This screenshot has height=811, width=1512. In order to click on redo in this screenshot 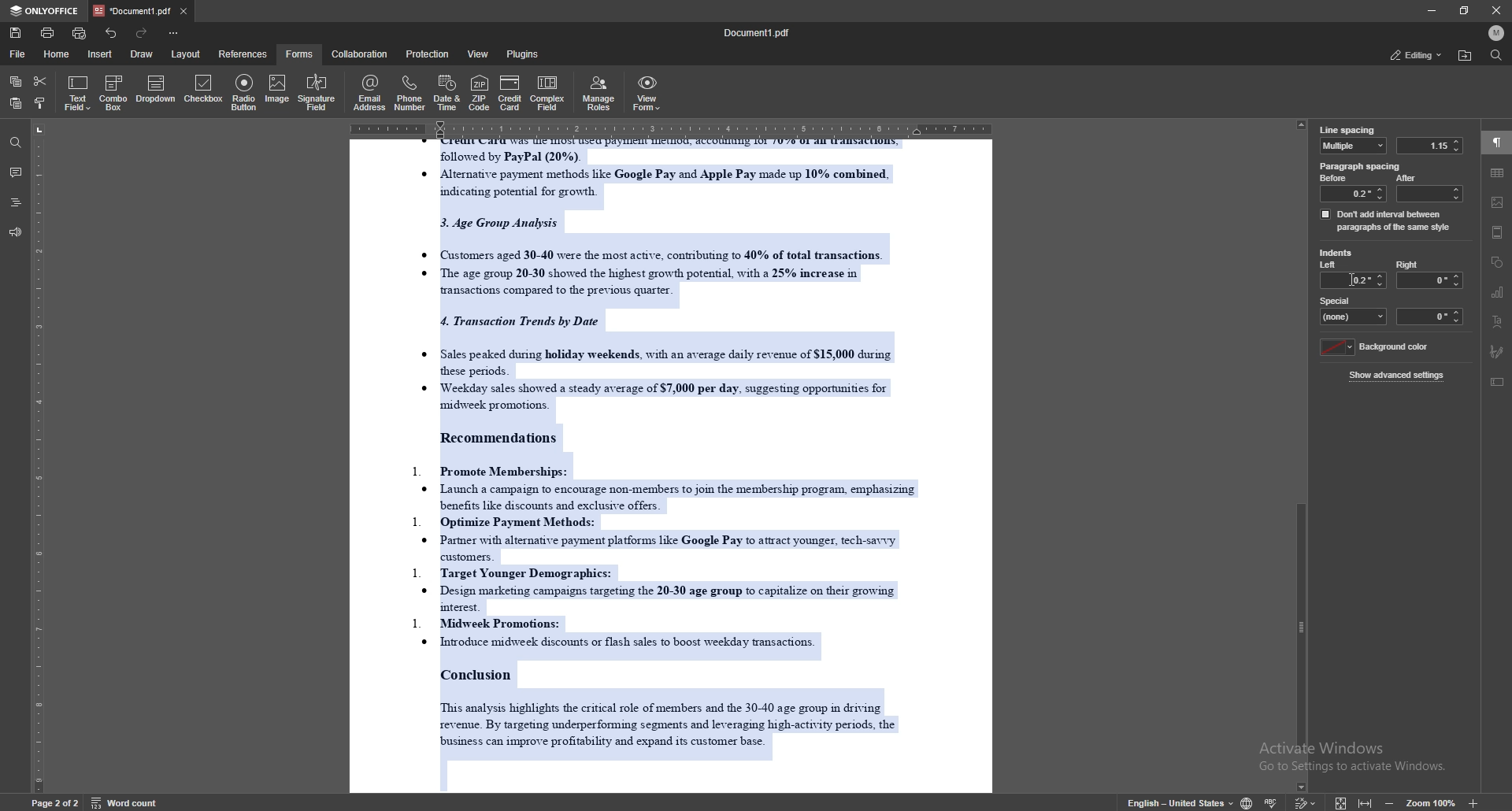, I will do `click(140, 33)`.